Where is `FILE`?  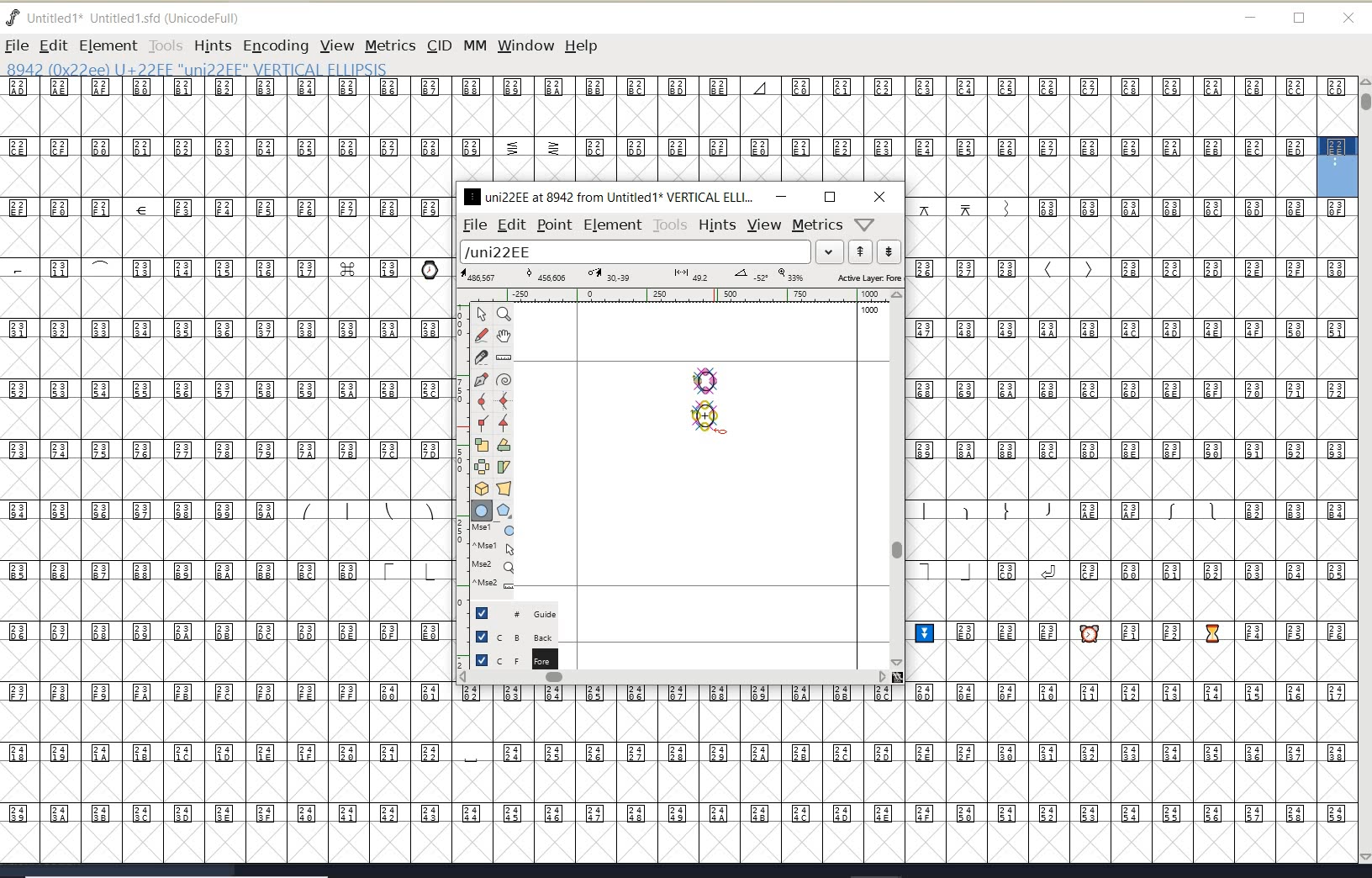 FILE is located at coordinates (16, 45).